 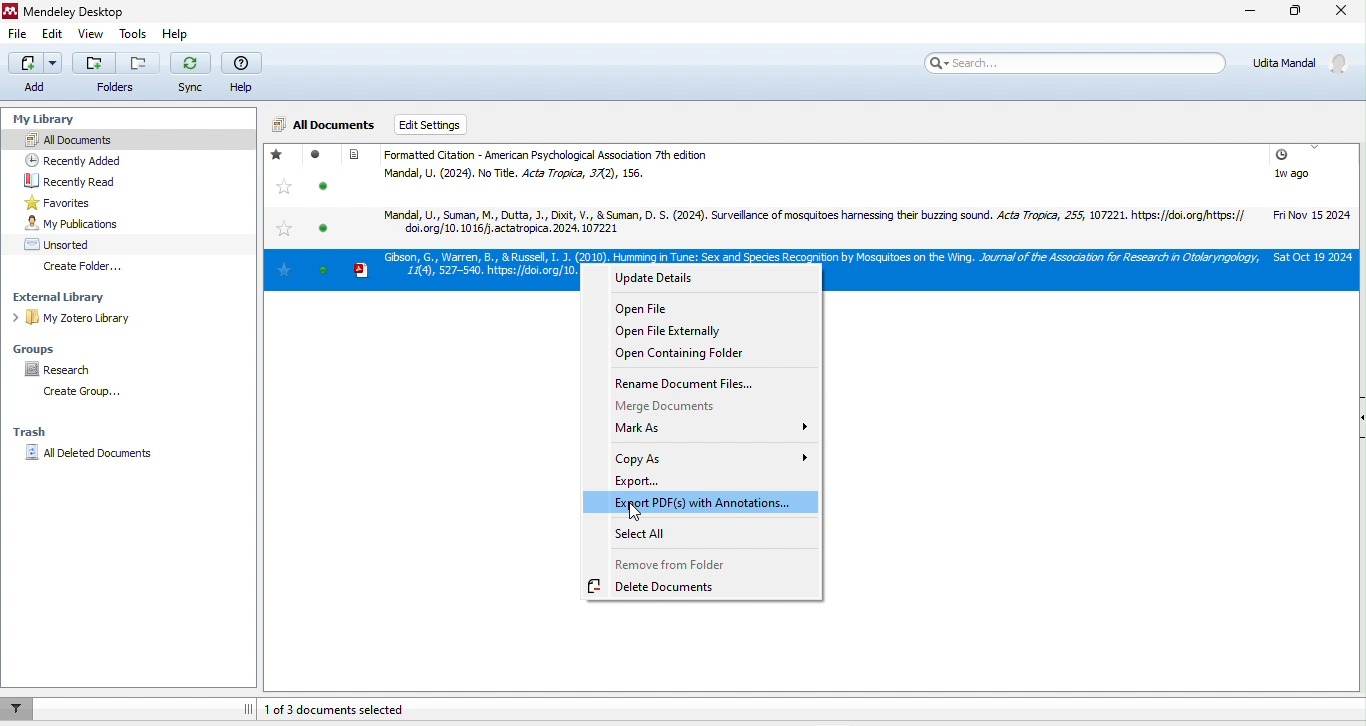 What do you see at coordinates (192, 76) in the screenshot?
I see `sync` at bounding box center [192, 76].